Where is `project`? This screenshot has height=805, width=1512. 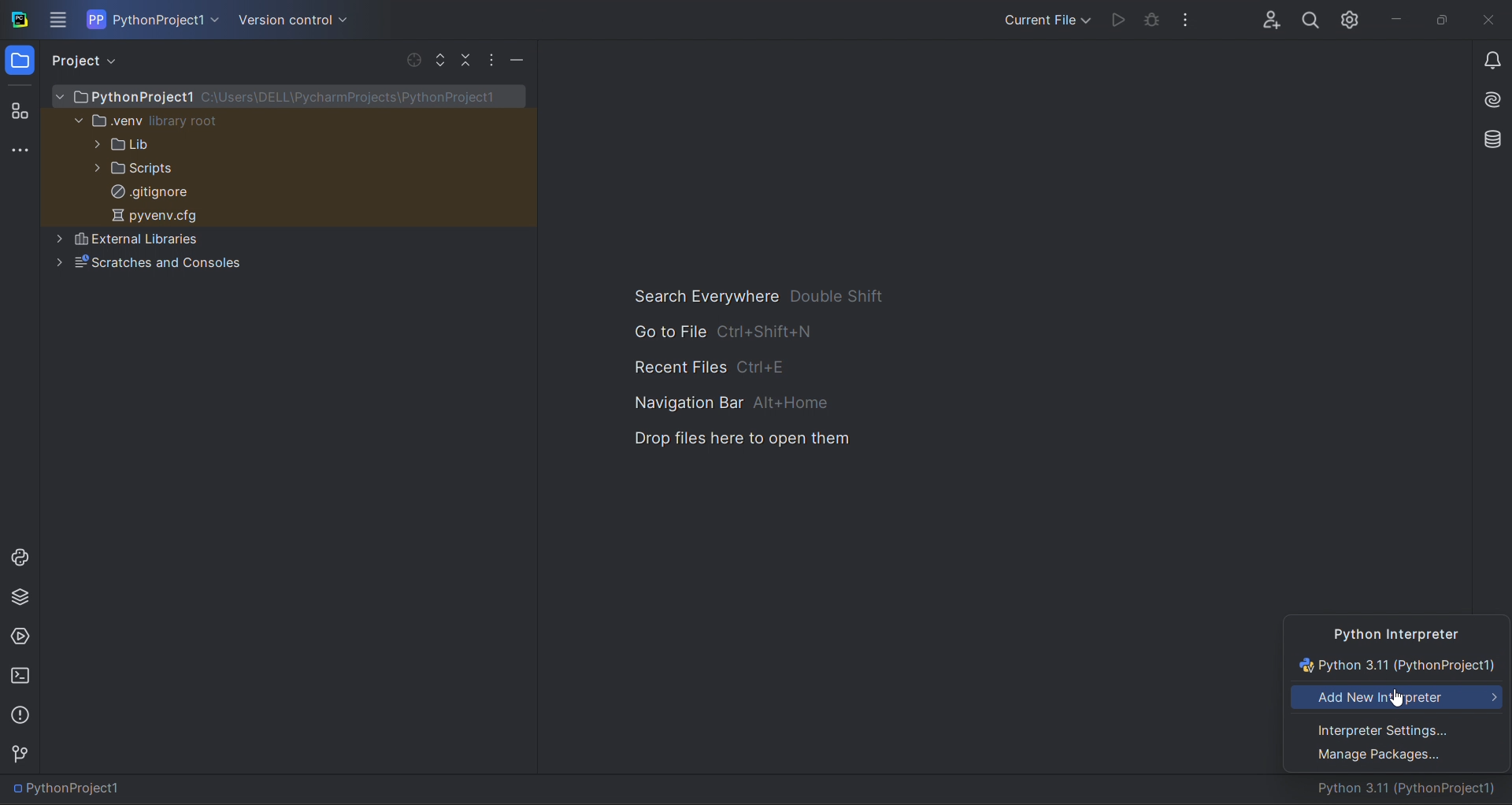 project is located at coordinates (89, 61).